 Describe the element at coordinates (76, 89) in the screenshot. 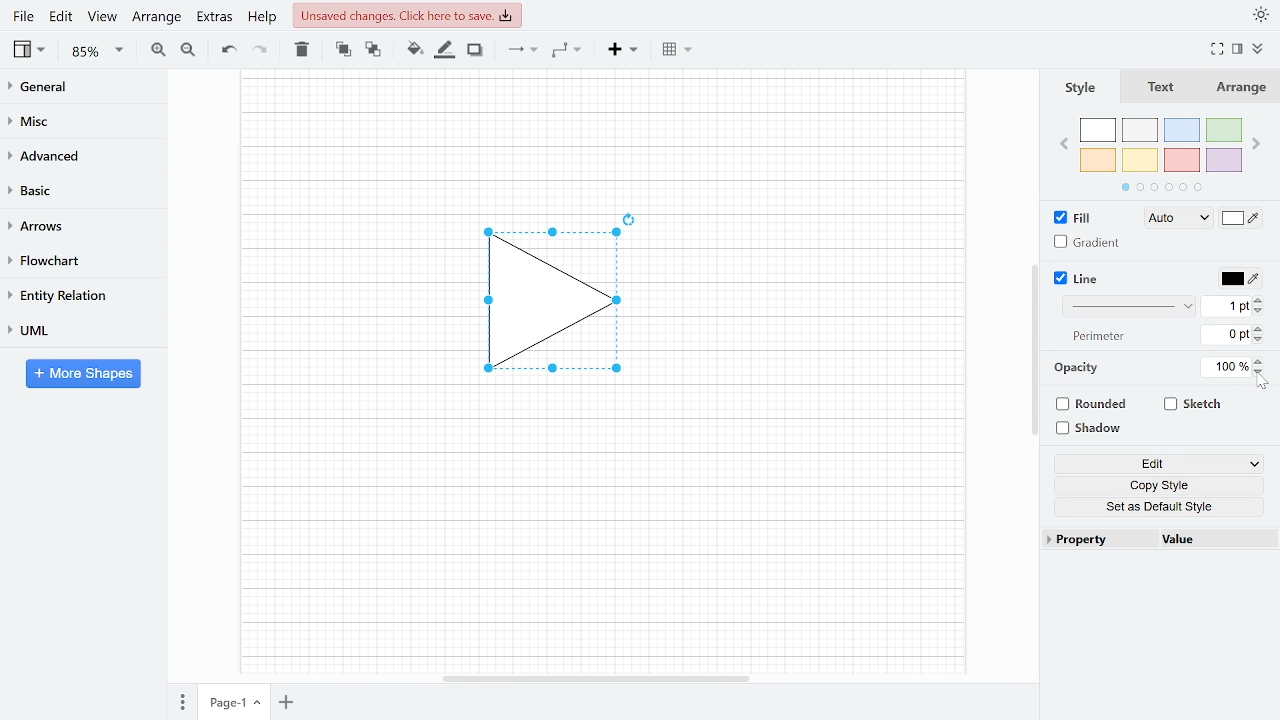

I see `General` at that location.